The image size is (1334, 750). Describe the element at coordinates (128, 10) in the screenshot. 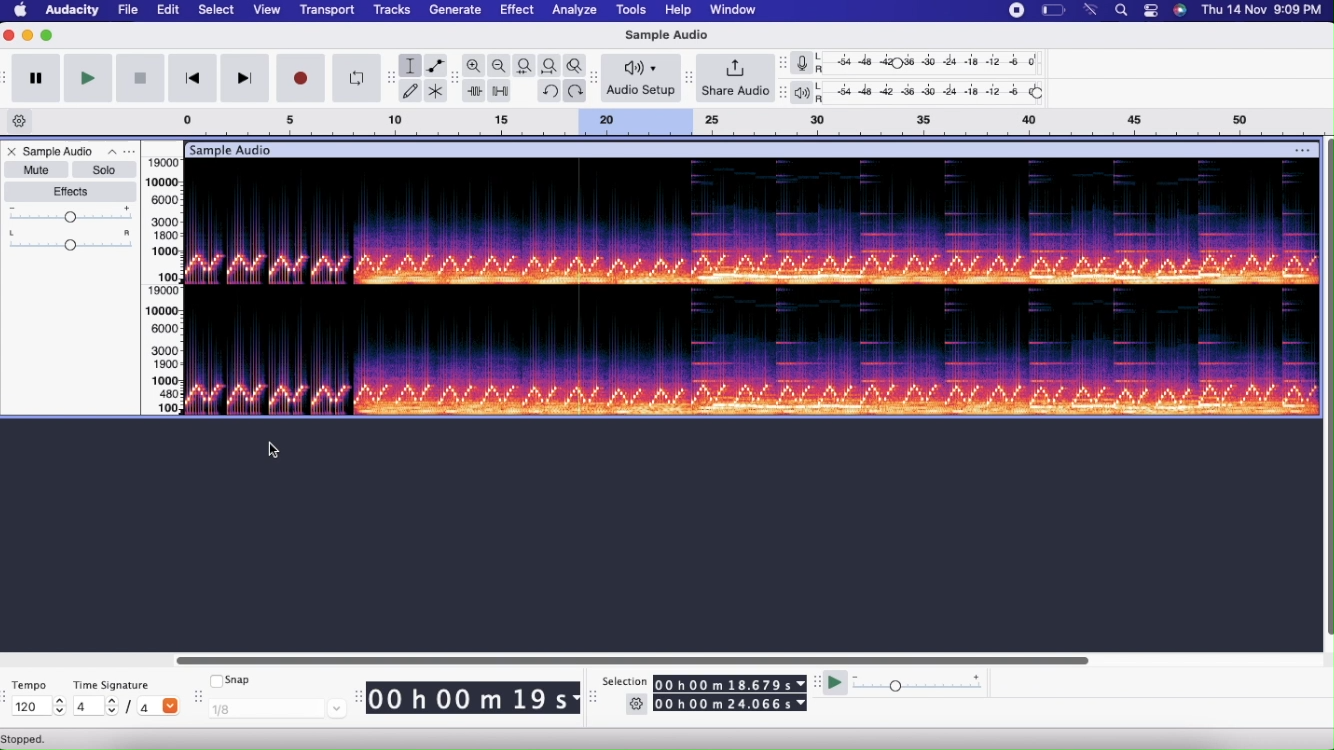

I see `File` at that location.